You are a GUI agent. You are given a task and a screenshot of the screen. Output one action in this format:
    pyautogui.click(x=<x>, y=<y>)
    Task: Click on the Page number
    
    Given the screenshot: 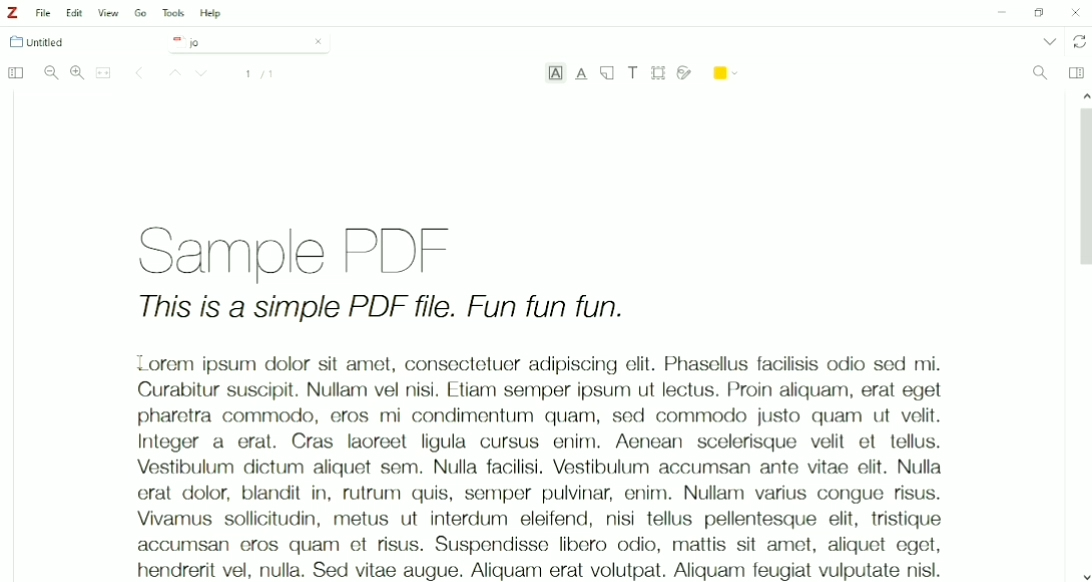 What is the action you would take?
    pyautogui.click(x=260, y=74)
    